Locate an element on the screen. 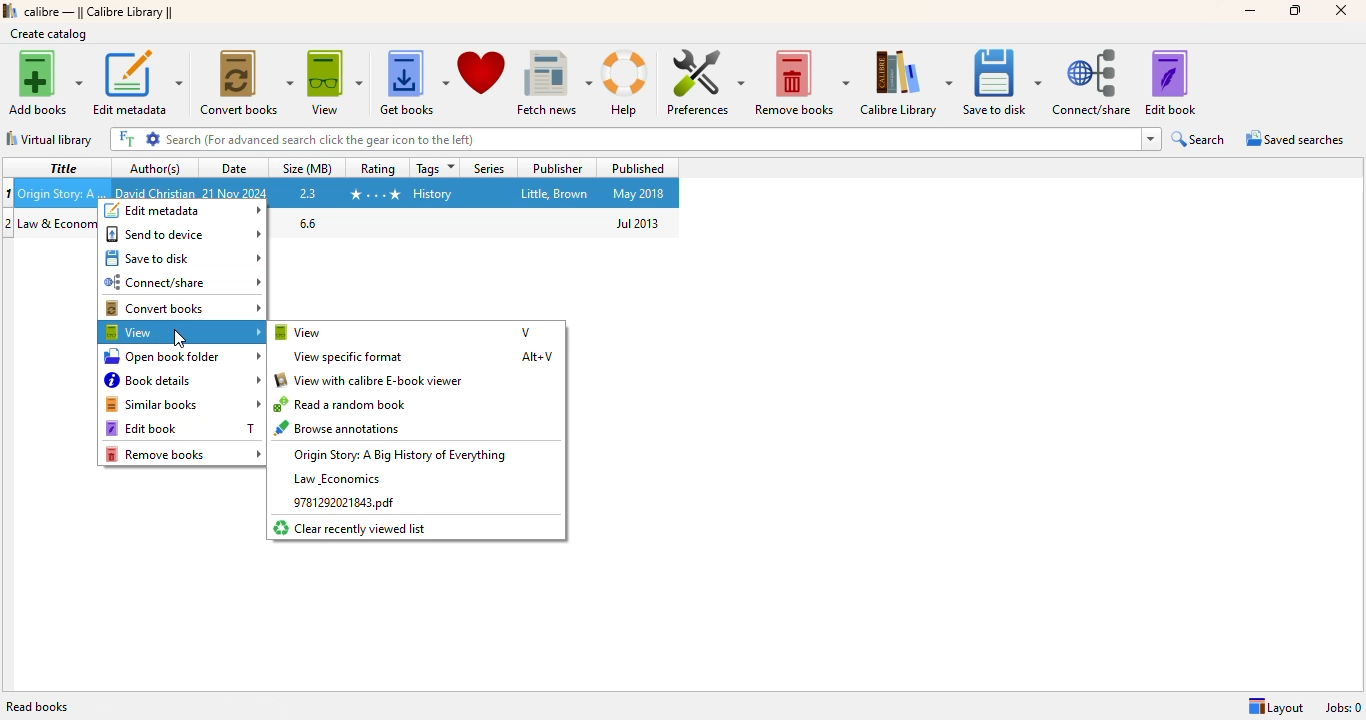 The width and height of the screenshot is (1366, 720). title is located at coordinates (61, 167).